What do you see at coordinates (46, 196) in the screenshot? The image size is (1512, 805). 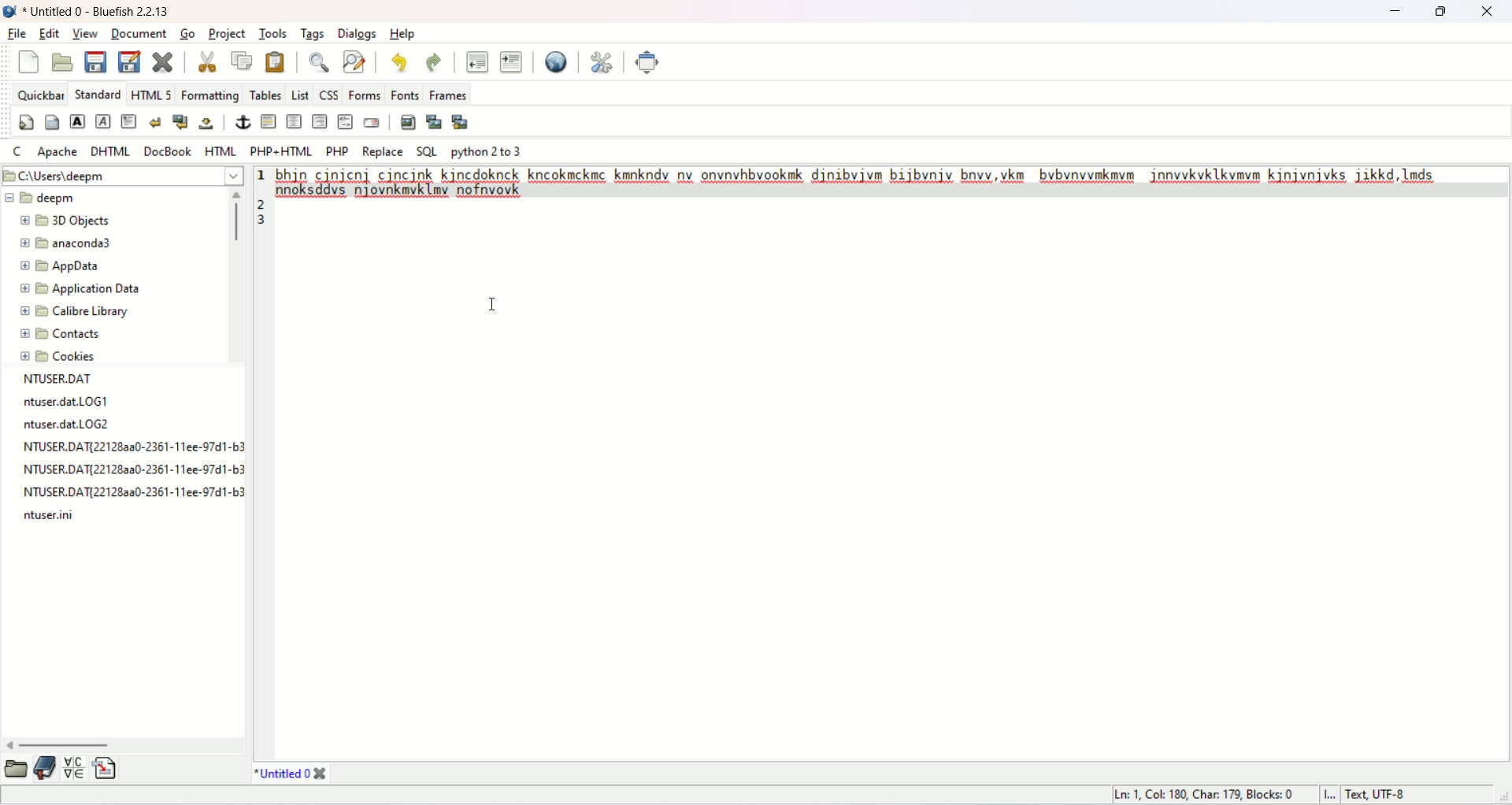 I see `deepm` at bounding box center [46, 196].